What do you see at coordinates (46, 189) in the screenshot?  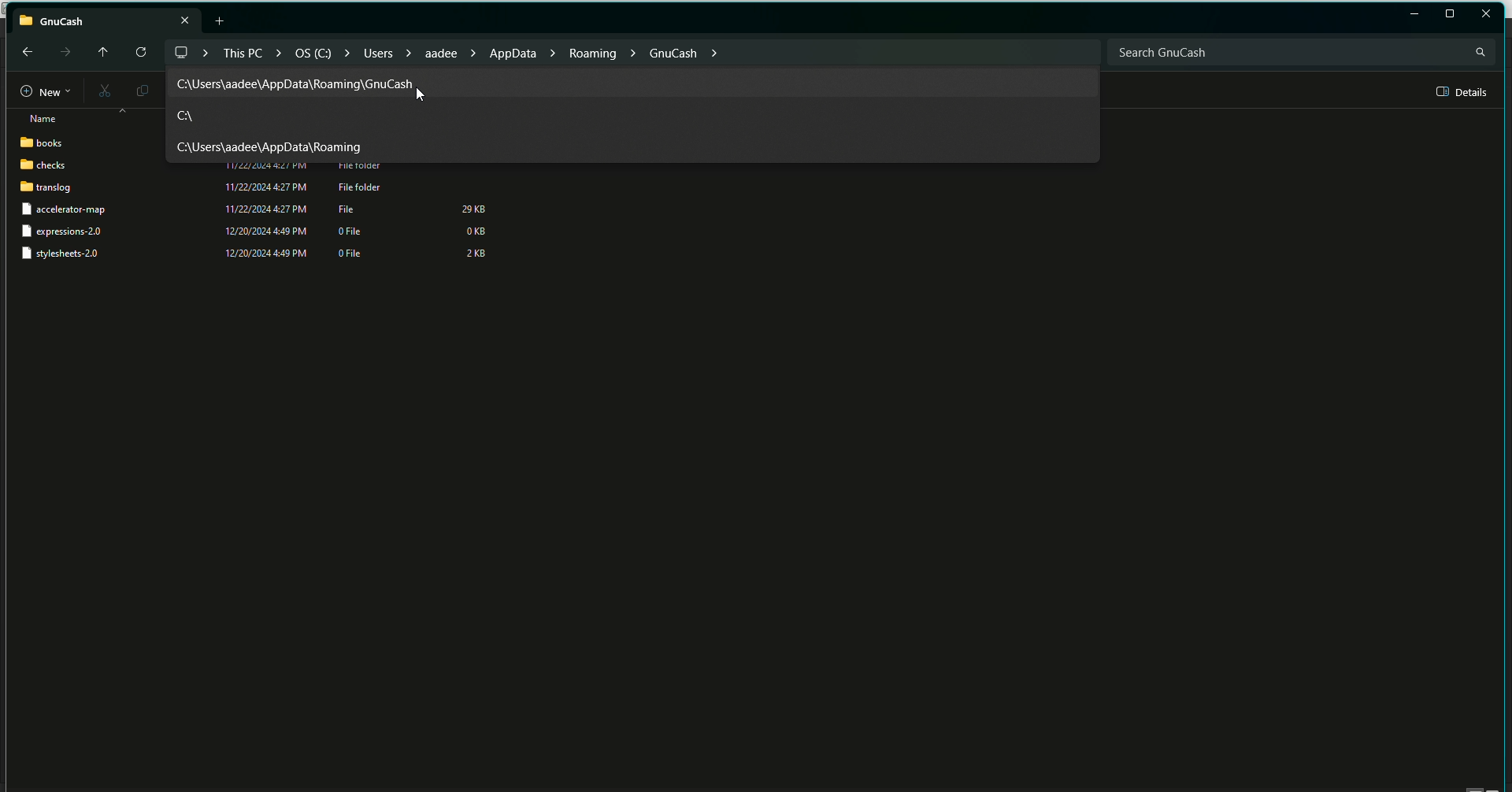 I see `translog` at bounding box center [46, 189].